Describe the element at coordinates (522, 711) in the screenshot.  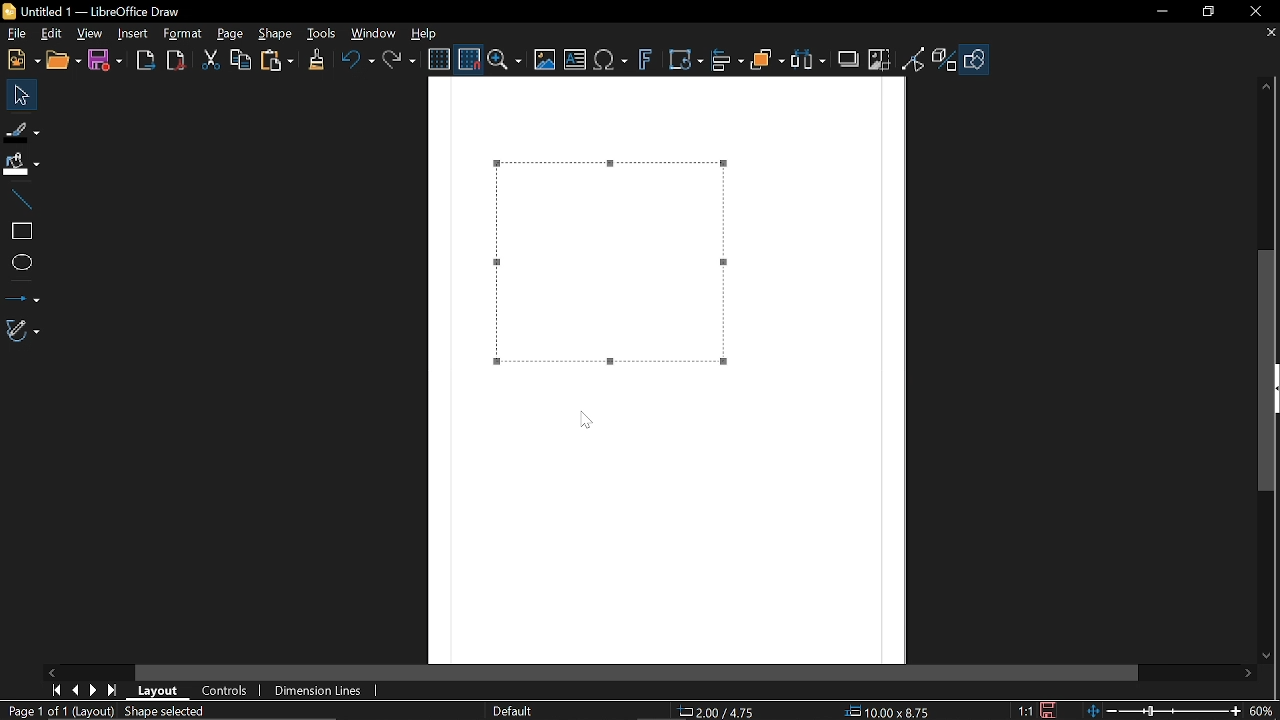
I see `Slide master name` at that location.